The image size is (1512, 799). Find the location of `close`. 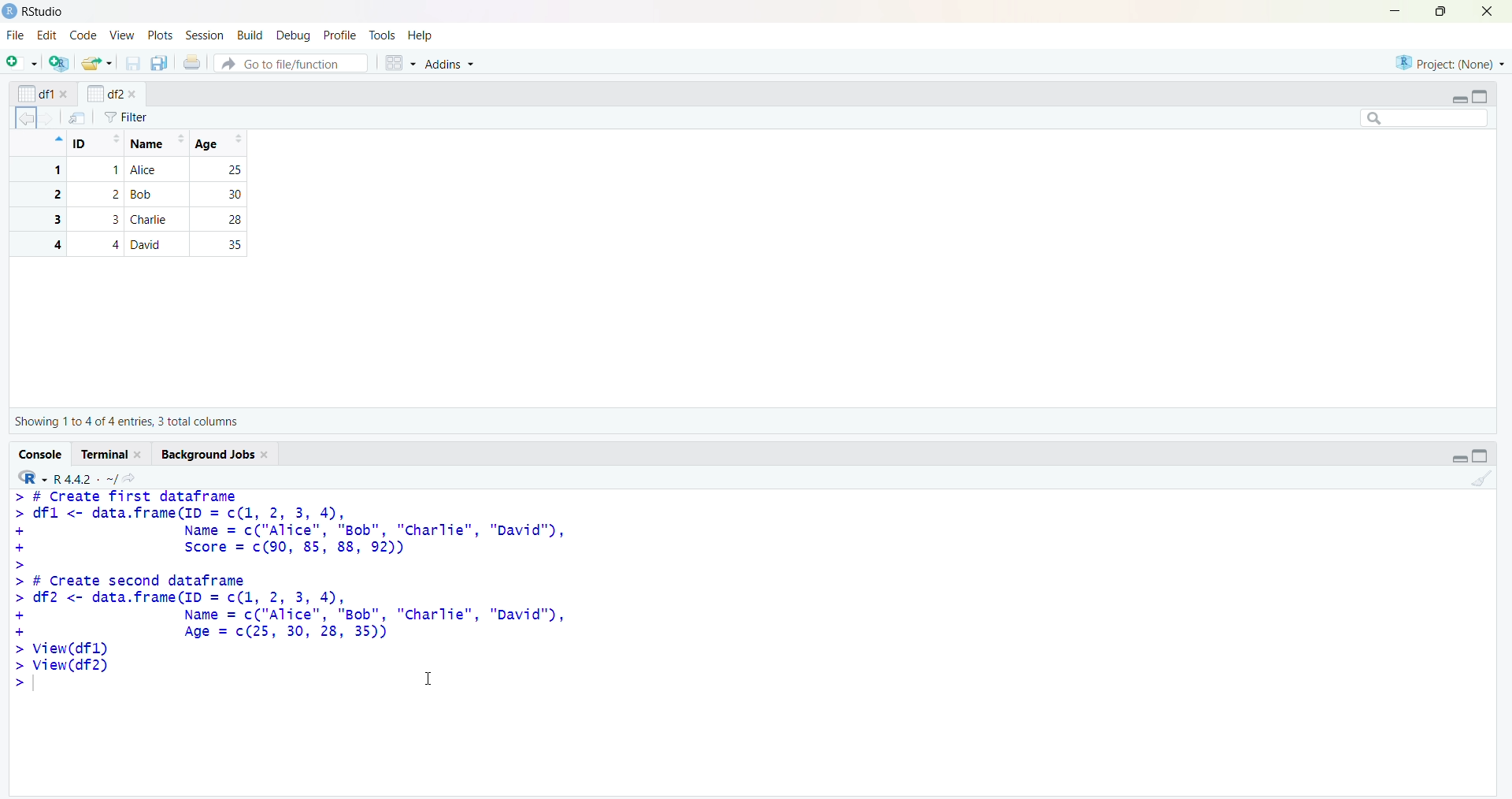

close is located at coordinates (140, 455).